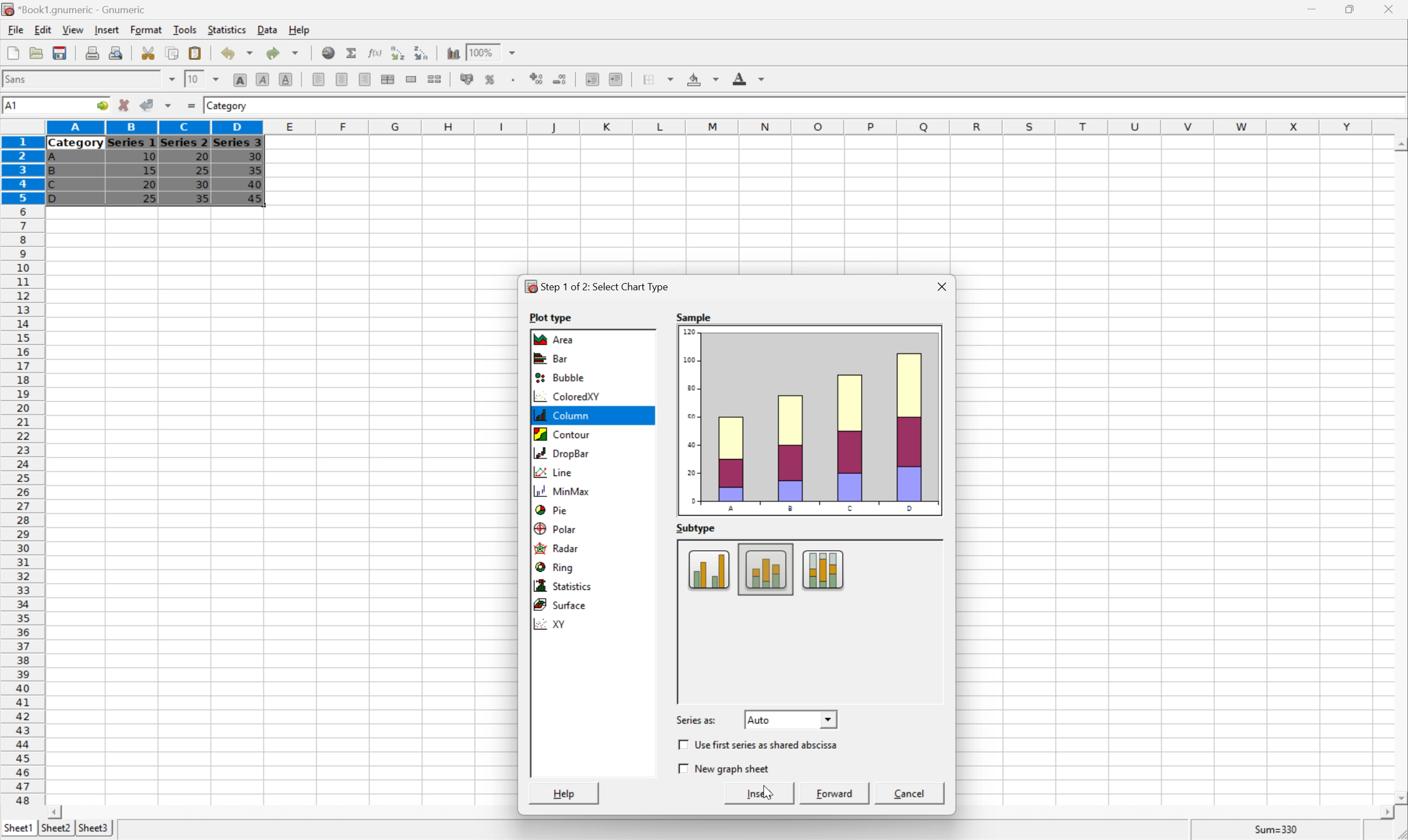  What do you see at coordinates (1399, 799) in the screenshot?
I see `Scroll Down` at bounding box center [1399, 799].